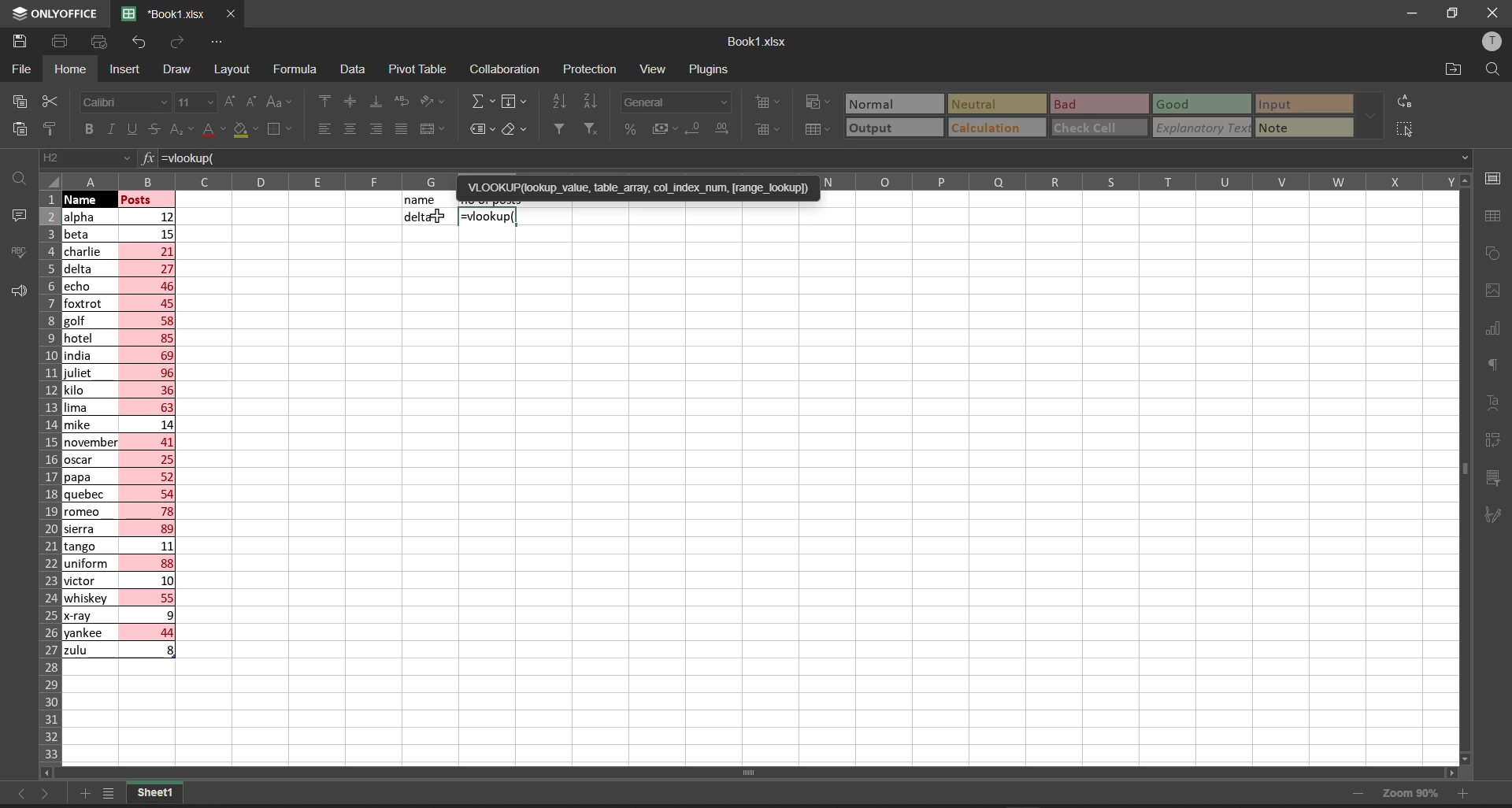  What do you see at coordinates (232, 14) in the screenshot?
I see `close workbook` at bounding box center [232, 14].